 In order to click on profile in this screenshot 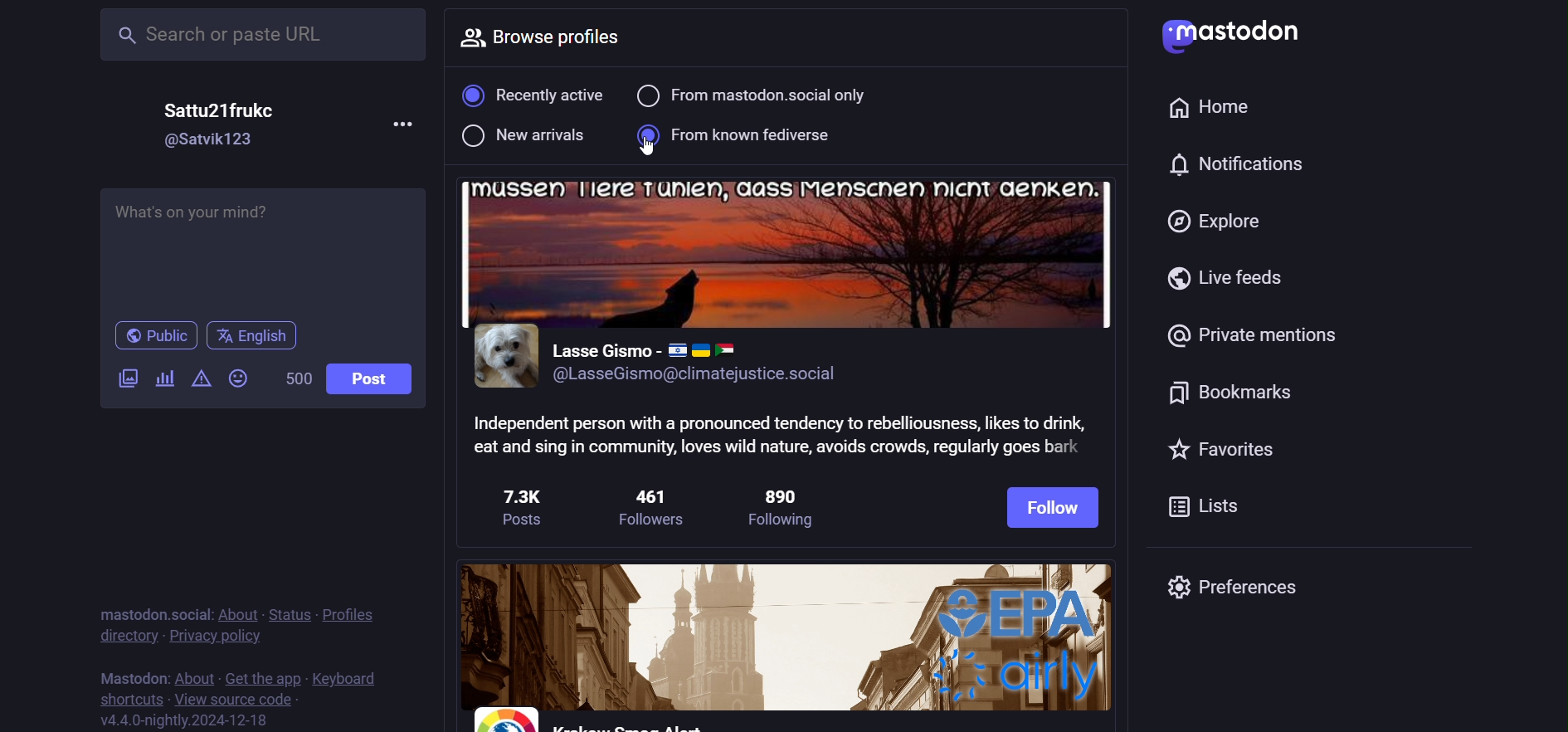, I will do `click(350, 611)`.